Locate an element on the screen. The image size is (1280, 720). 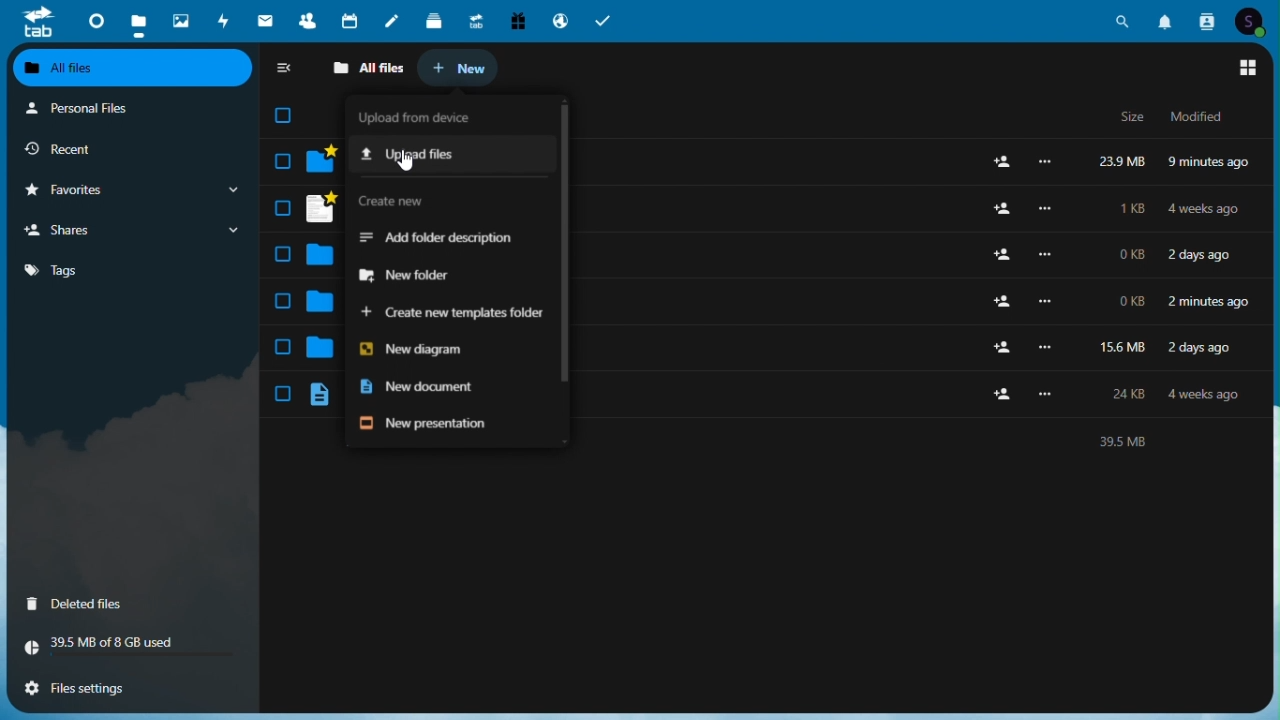
select is located at coordinates (281, 161).